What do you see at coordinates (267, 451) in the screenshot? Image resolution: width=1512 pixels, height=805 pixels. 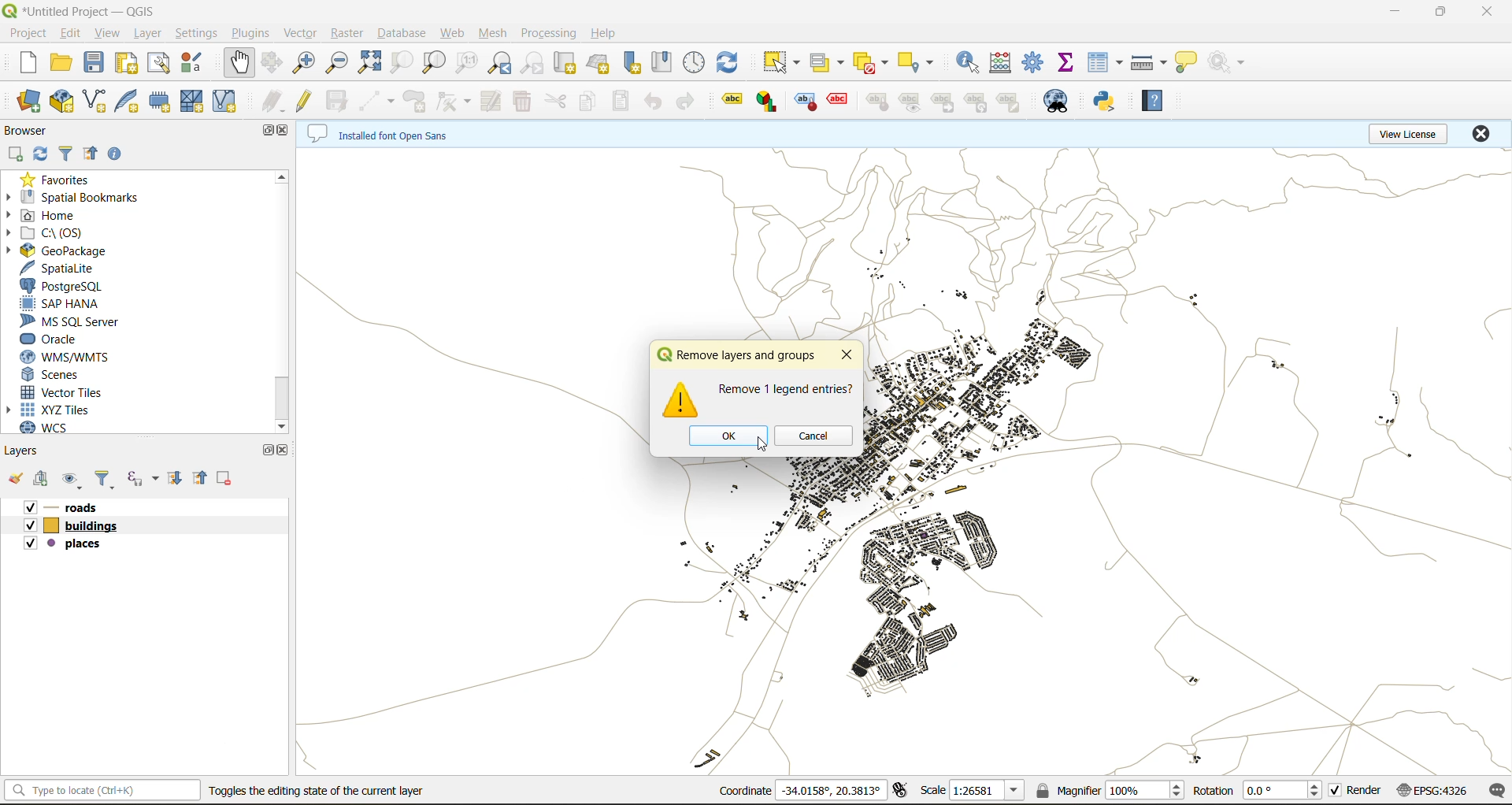 I see `maximize` at bounding box center [267, 451].